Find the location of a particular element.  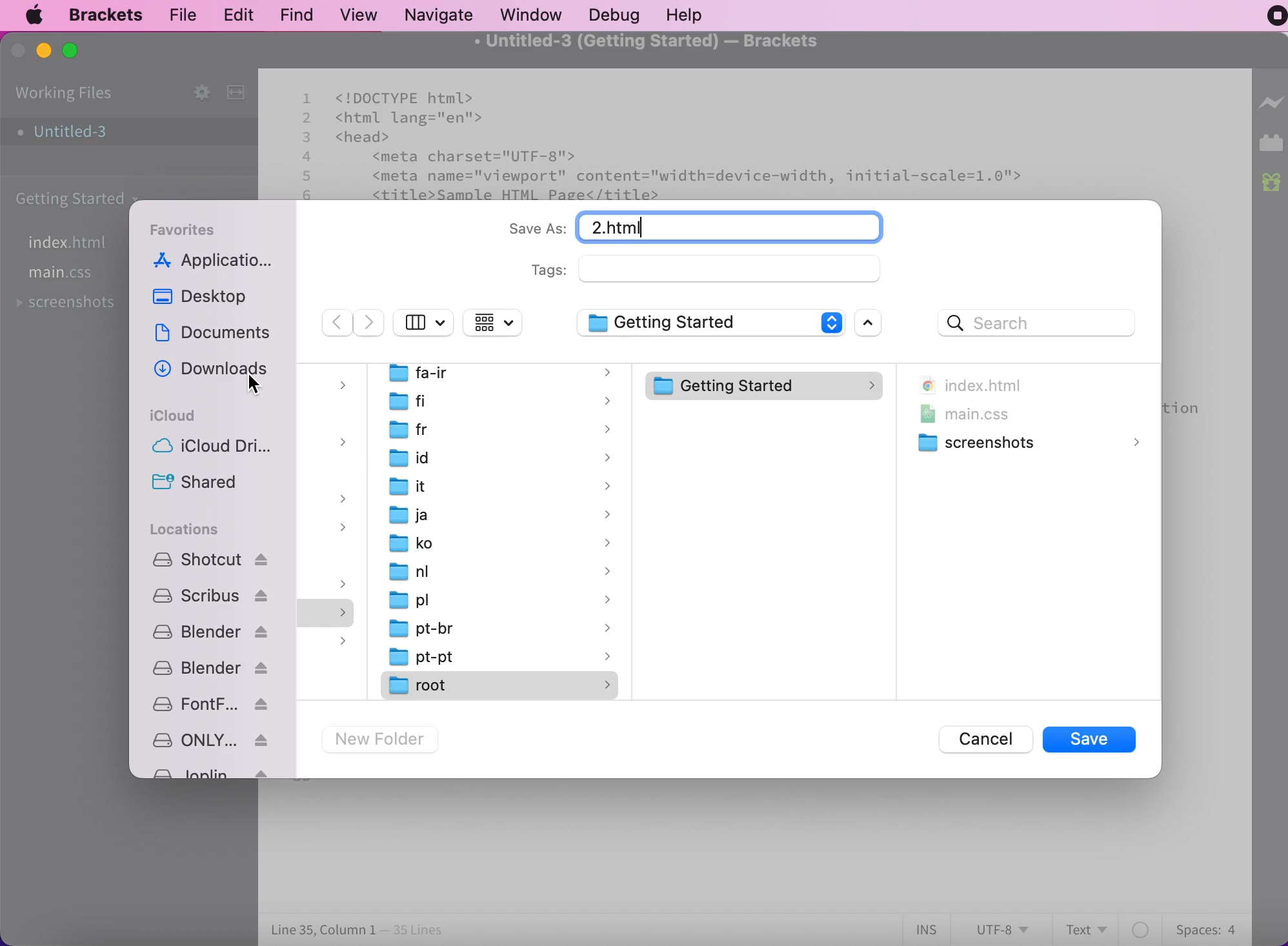

screenshots is located at coordinates (1030, 442).